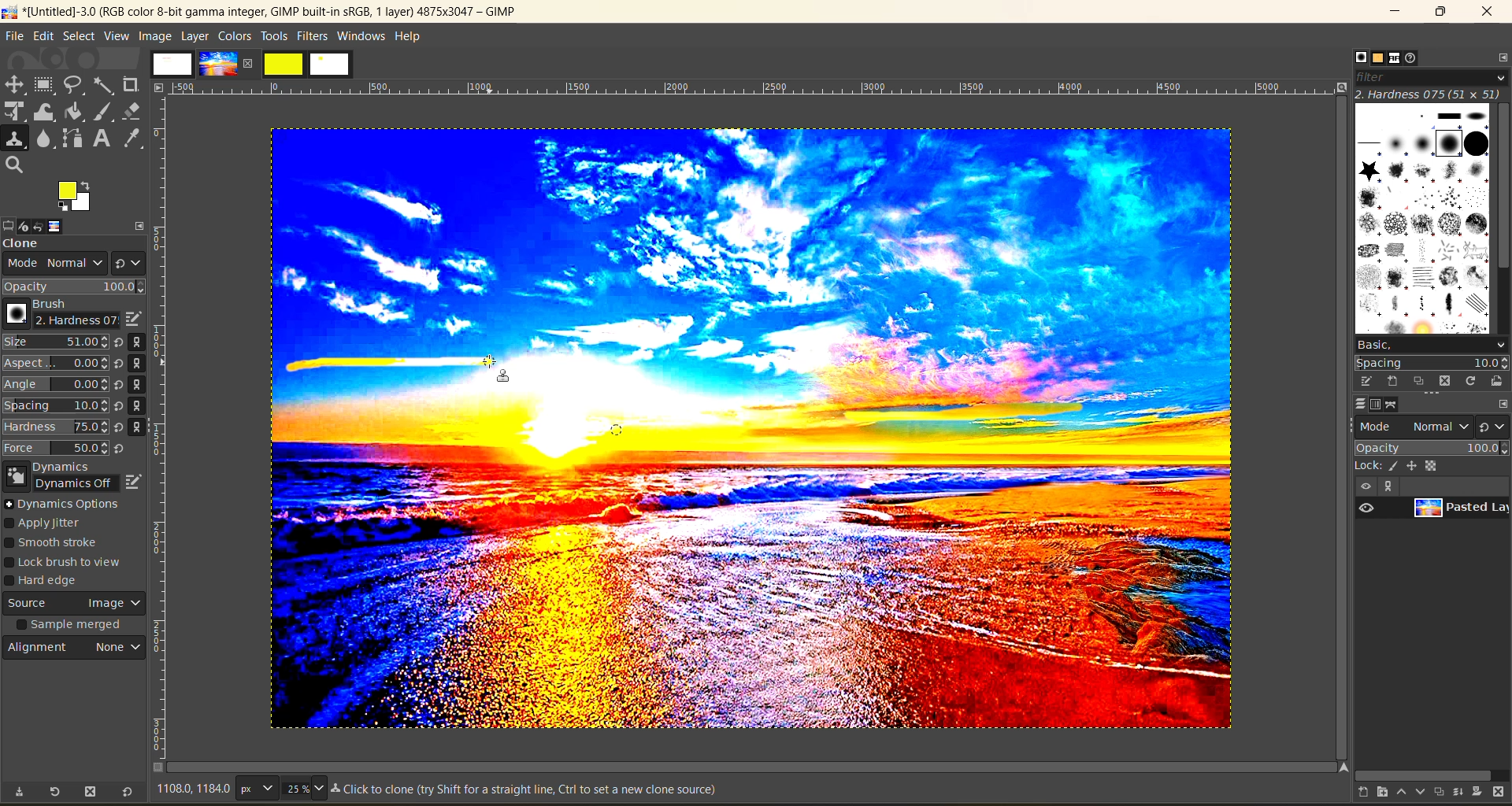 This screenshot has width=1512, height=806. Describe the element at coordinates (56, 364) in the screenshot. I see `Aspect... 0.00` at that location.